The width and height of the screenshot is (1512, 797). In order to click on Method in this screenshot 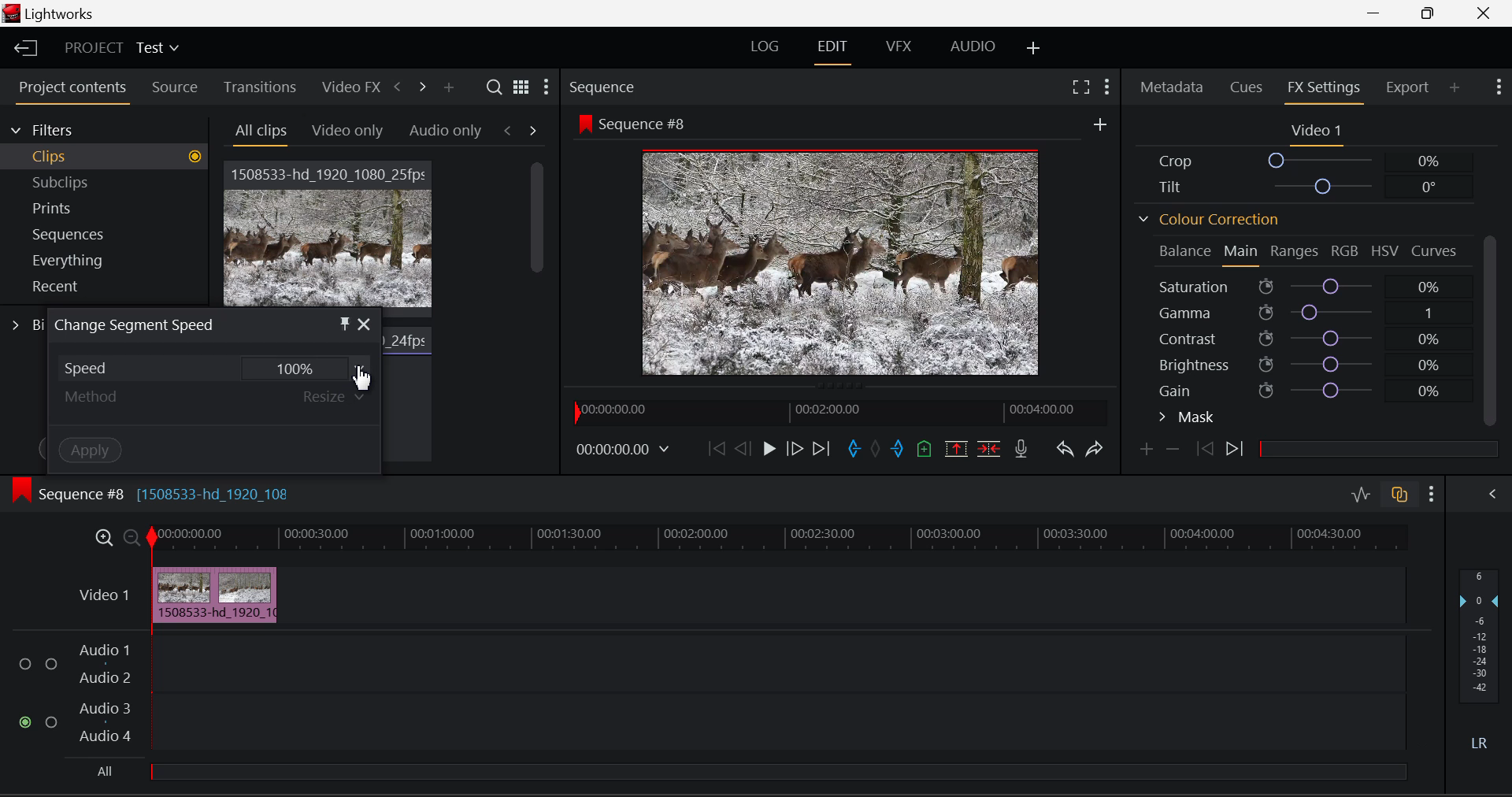, I will do `click(96, 396)`.